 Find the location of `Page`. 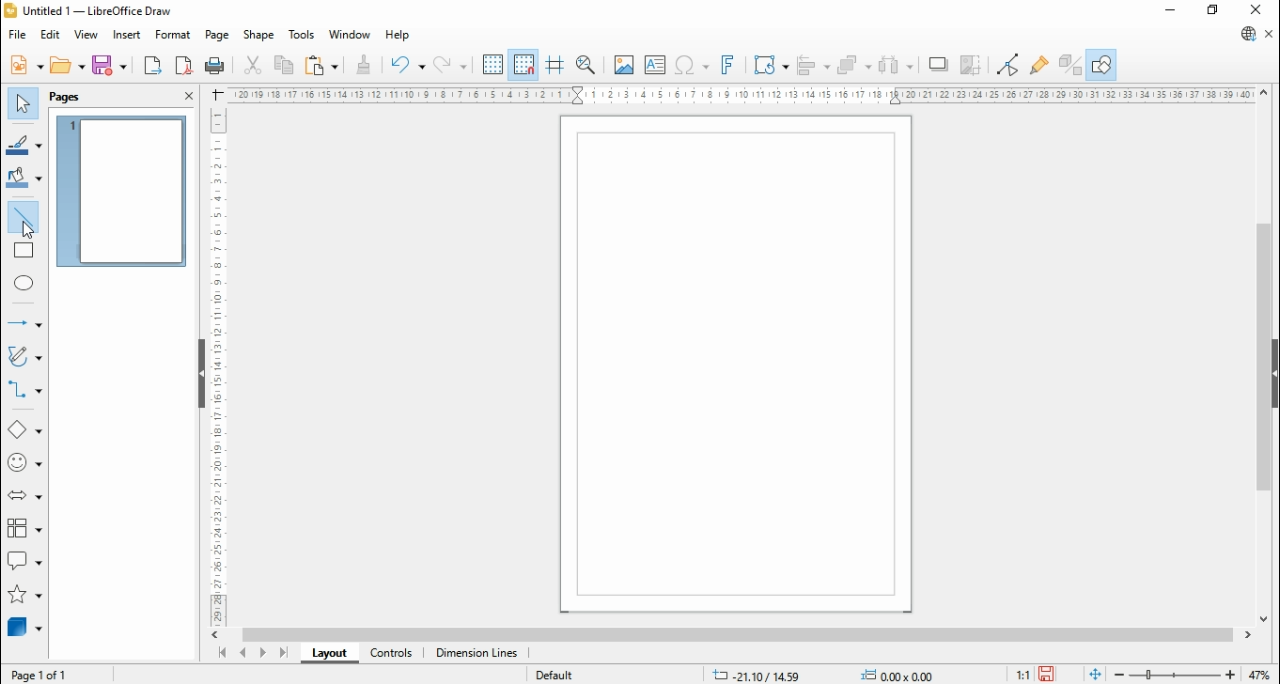

Page is located at coordinates (737, 364).